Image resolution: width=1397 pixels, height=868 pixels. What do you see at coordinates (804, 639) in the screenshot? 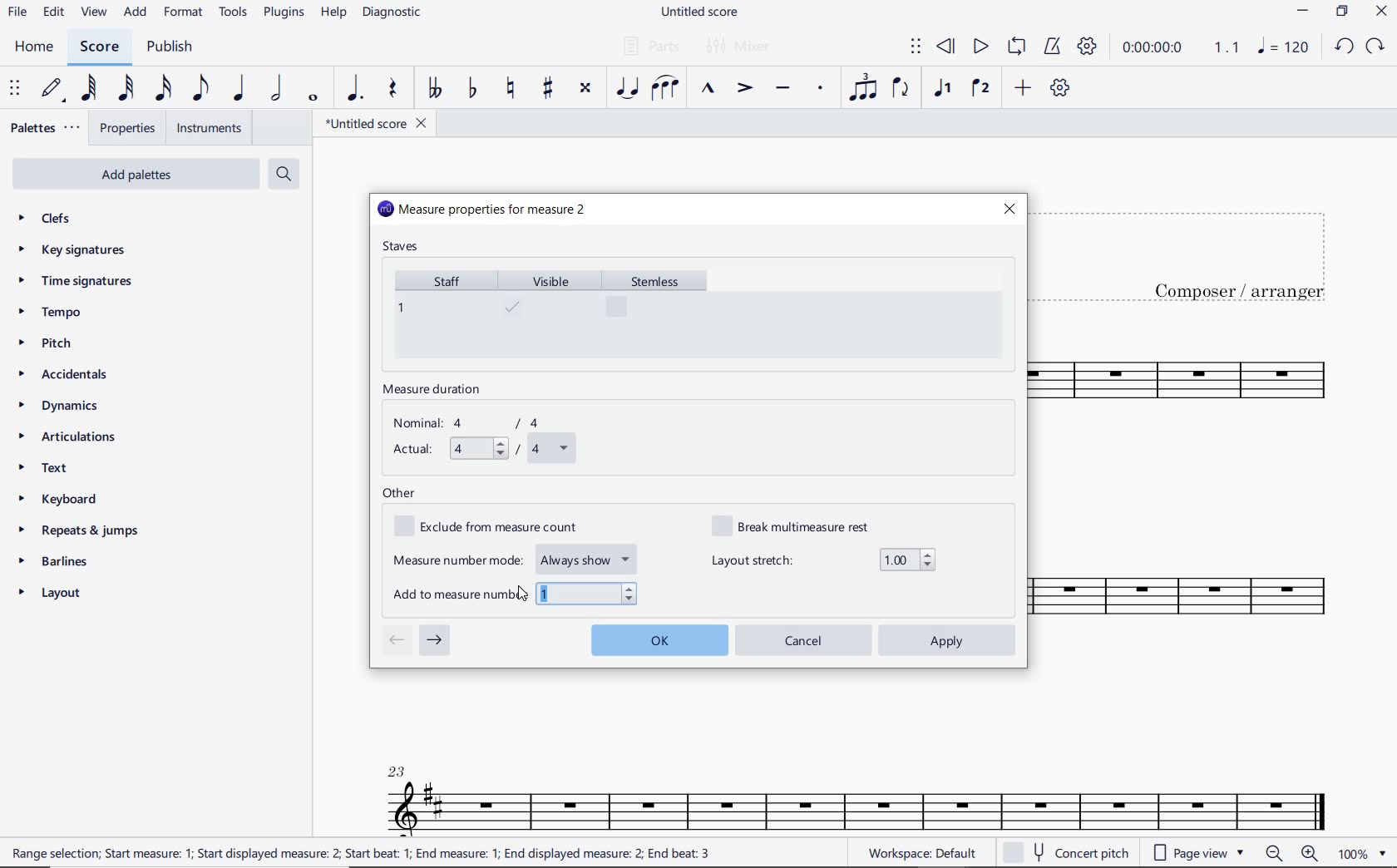
I see `cancel` at bounding box center [804, 639].